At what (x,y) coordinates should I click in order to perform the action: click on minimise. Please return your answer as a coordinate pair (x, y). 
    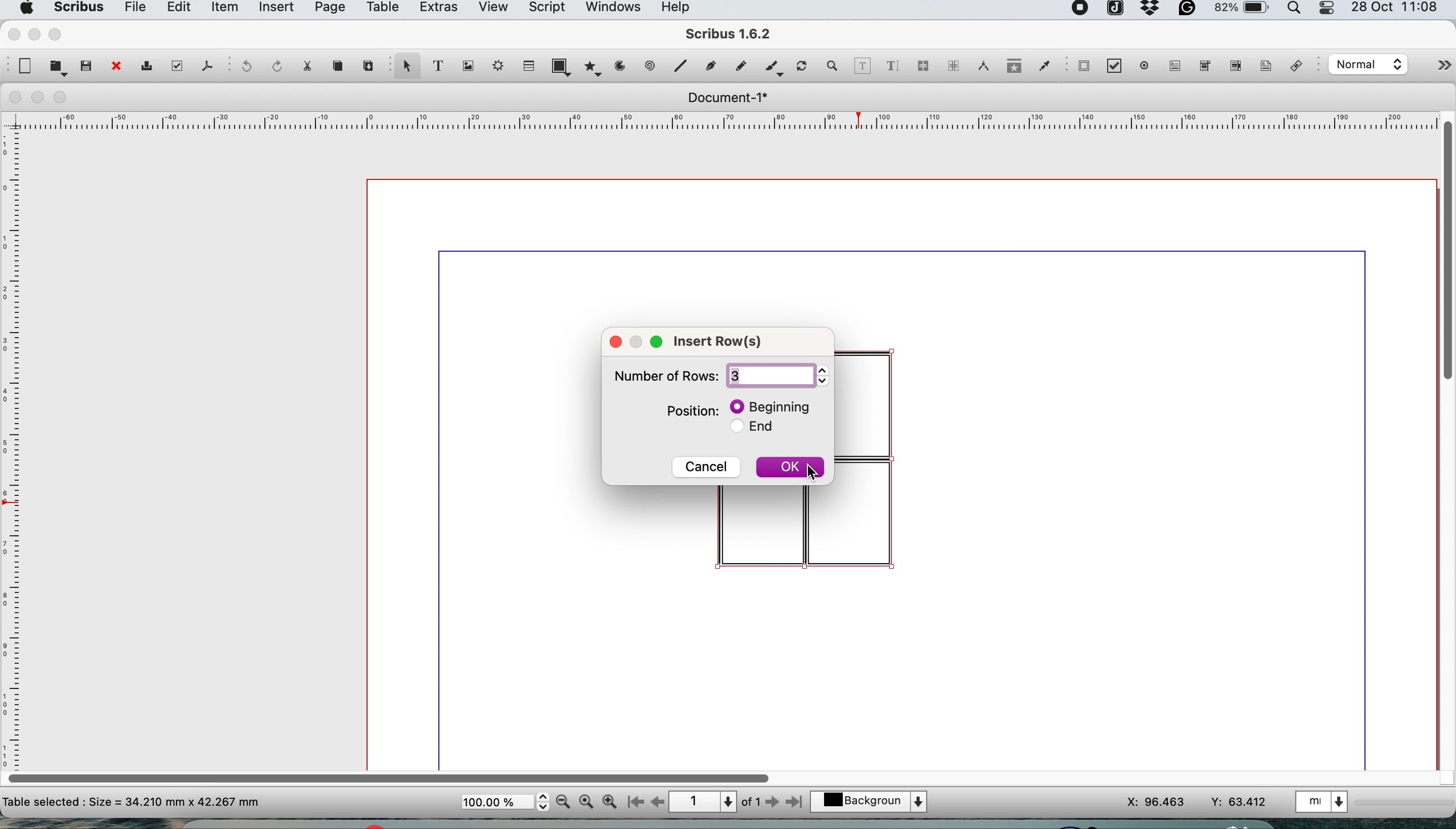
    Looking at the image, I should click on (39, 98).